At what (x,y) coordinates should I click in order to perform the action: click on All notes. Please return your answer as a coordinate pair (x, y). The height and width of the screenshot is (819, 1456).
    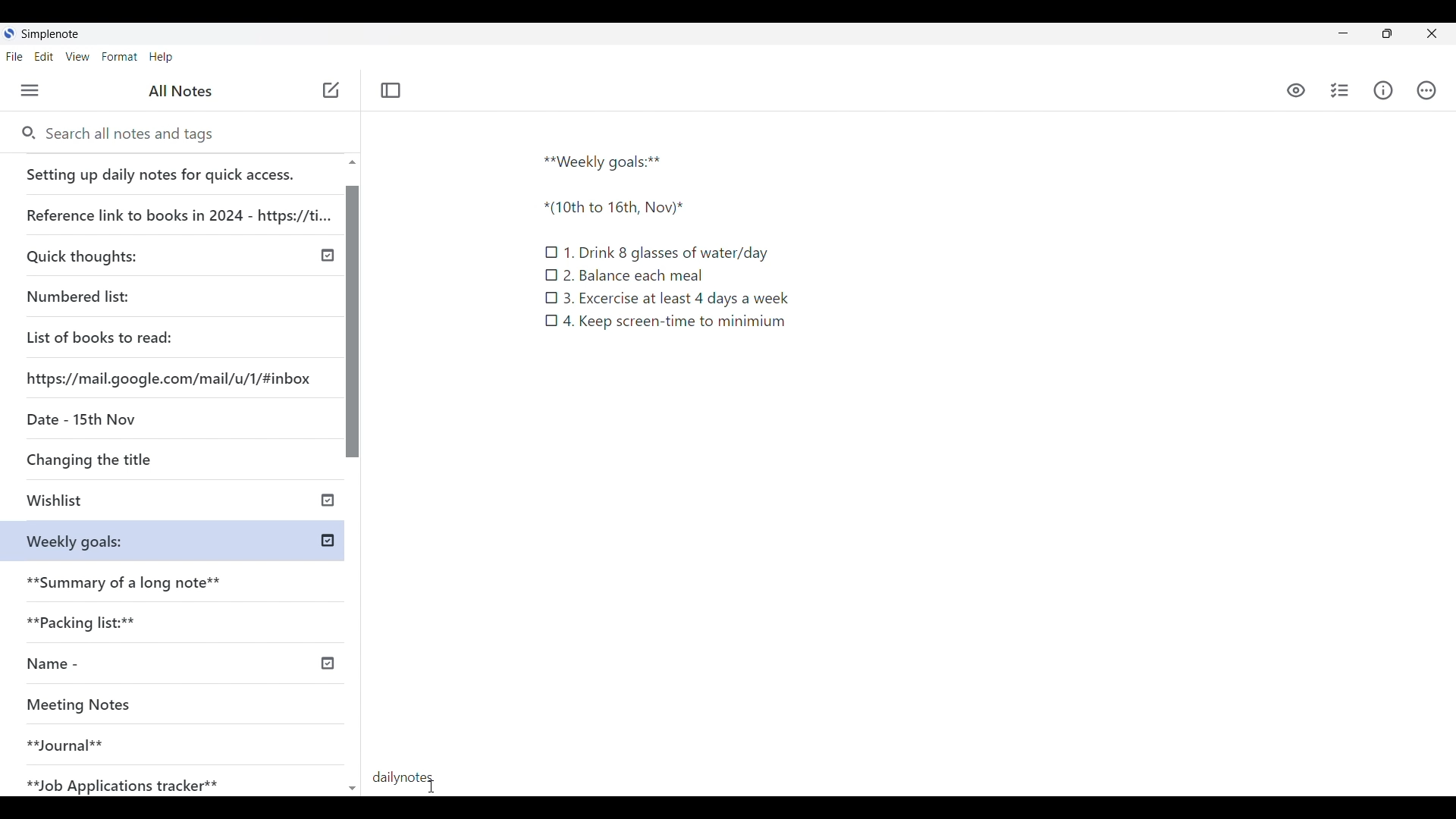
    Looking at the image, I should click on (180, 91).